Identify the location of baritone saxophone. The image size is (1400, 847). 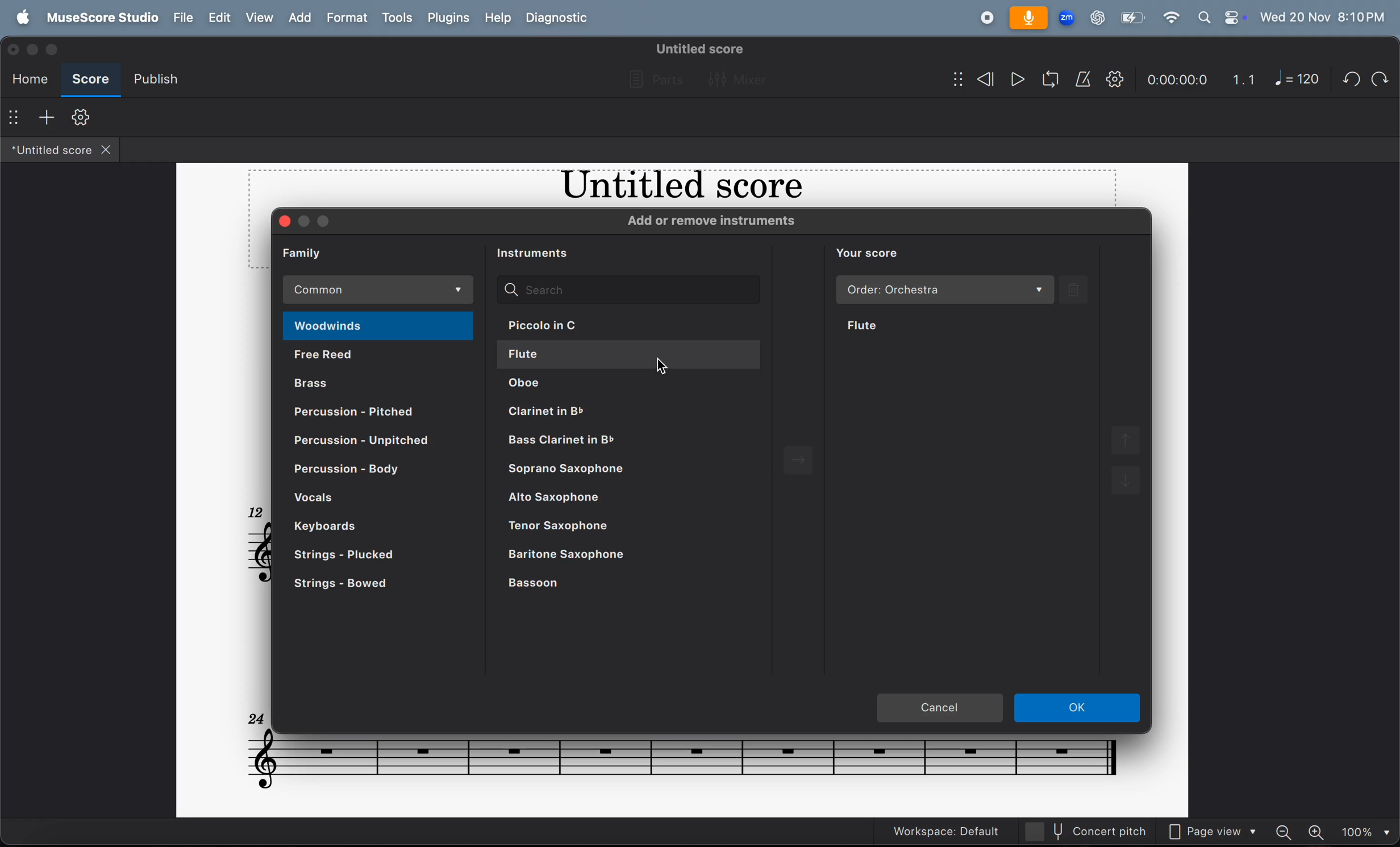
(622, 556).